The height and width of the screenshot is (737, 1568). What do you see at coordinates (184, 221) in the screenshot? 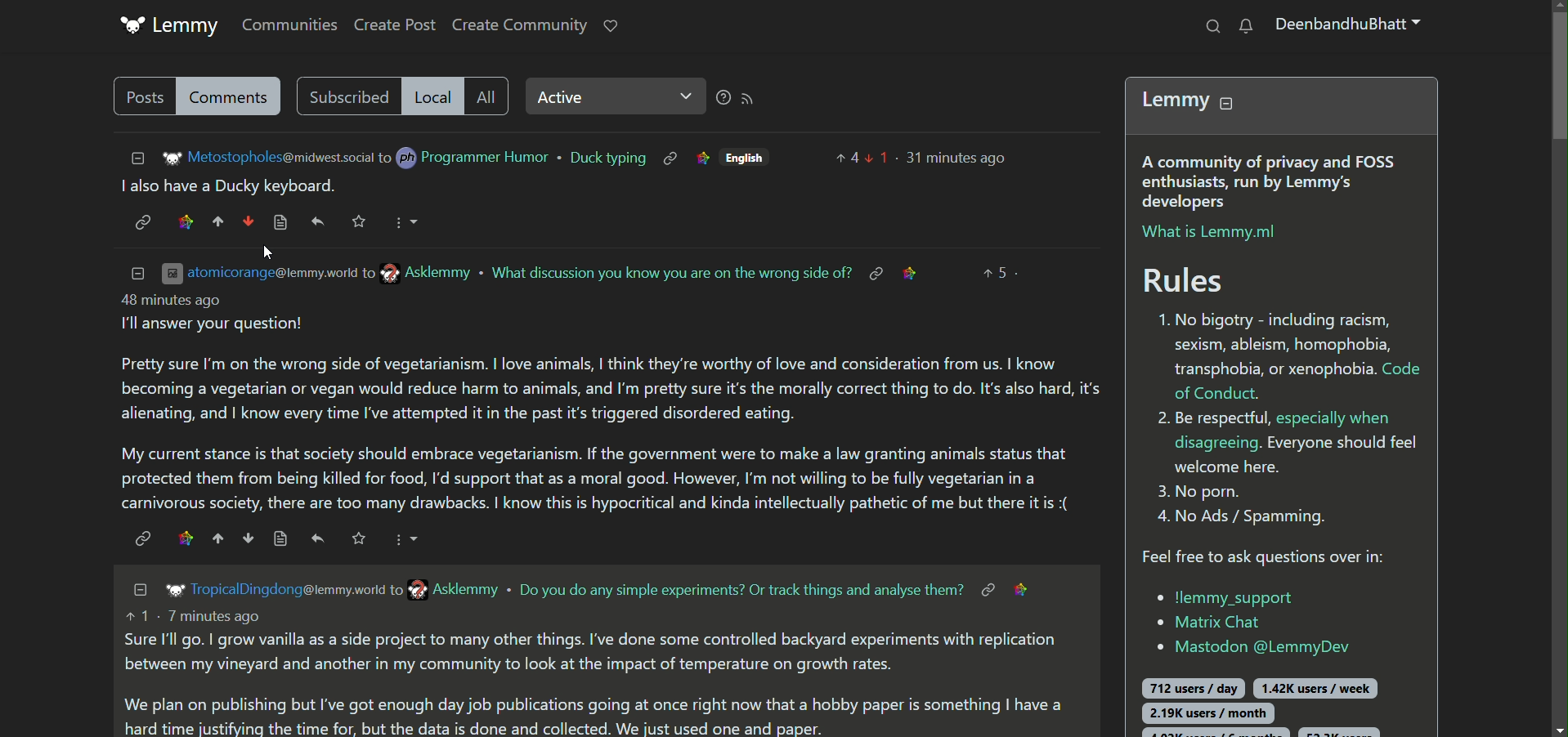
I see `highlight` at bounding box center [184, 221].